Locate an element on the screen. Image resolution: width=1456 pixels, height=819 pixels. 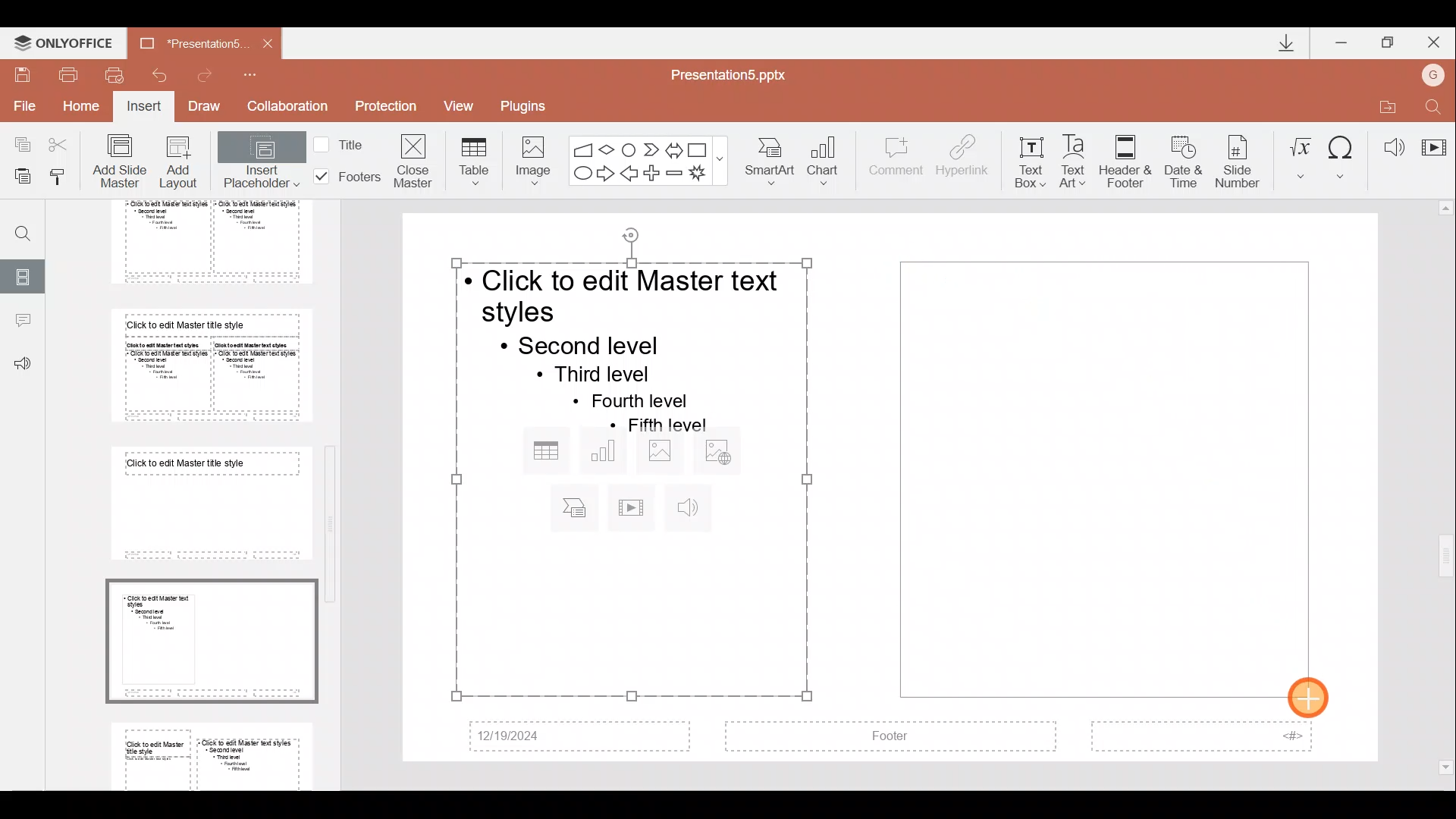
Protection is located at coordinates (385, 108).